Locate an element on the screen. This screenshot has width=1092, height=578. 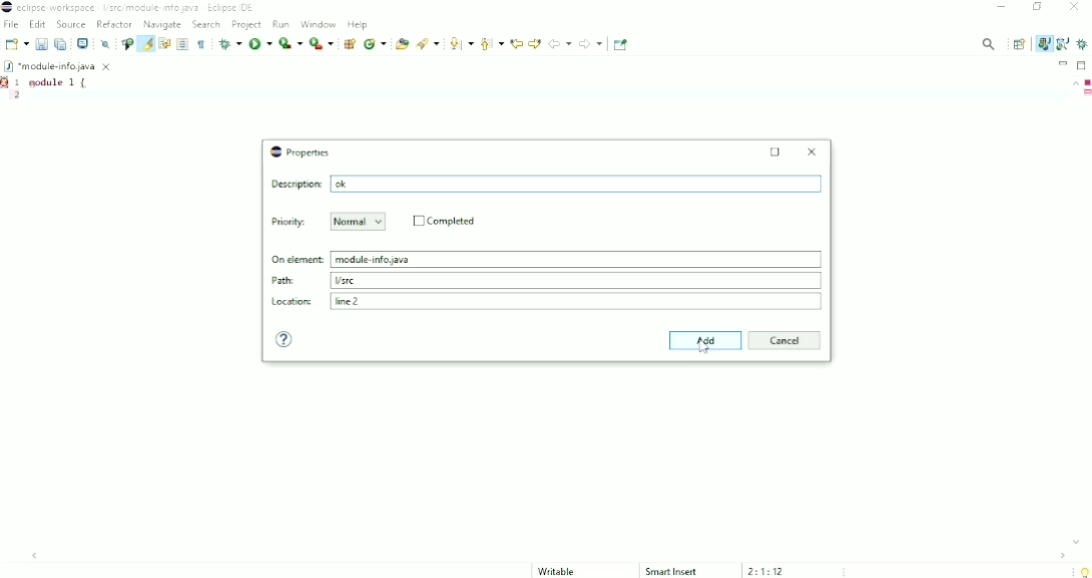
Horizontal scrollbar is located at coordinates (551, 555).